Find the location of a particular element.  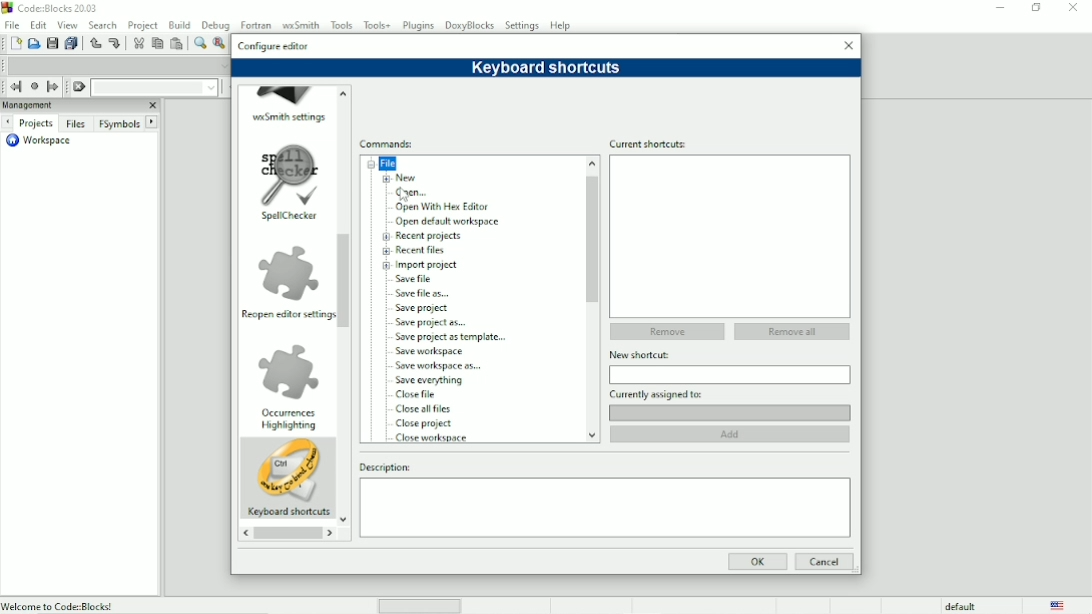

wxSmith settings is located at coordinates (290, 117).